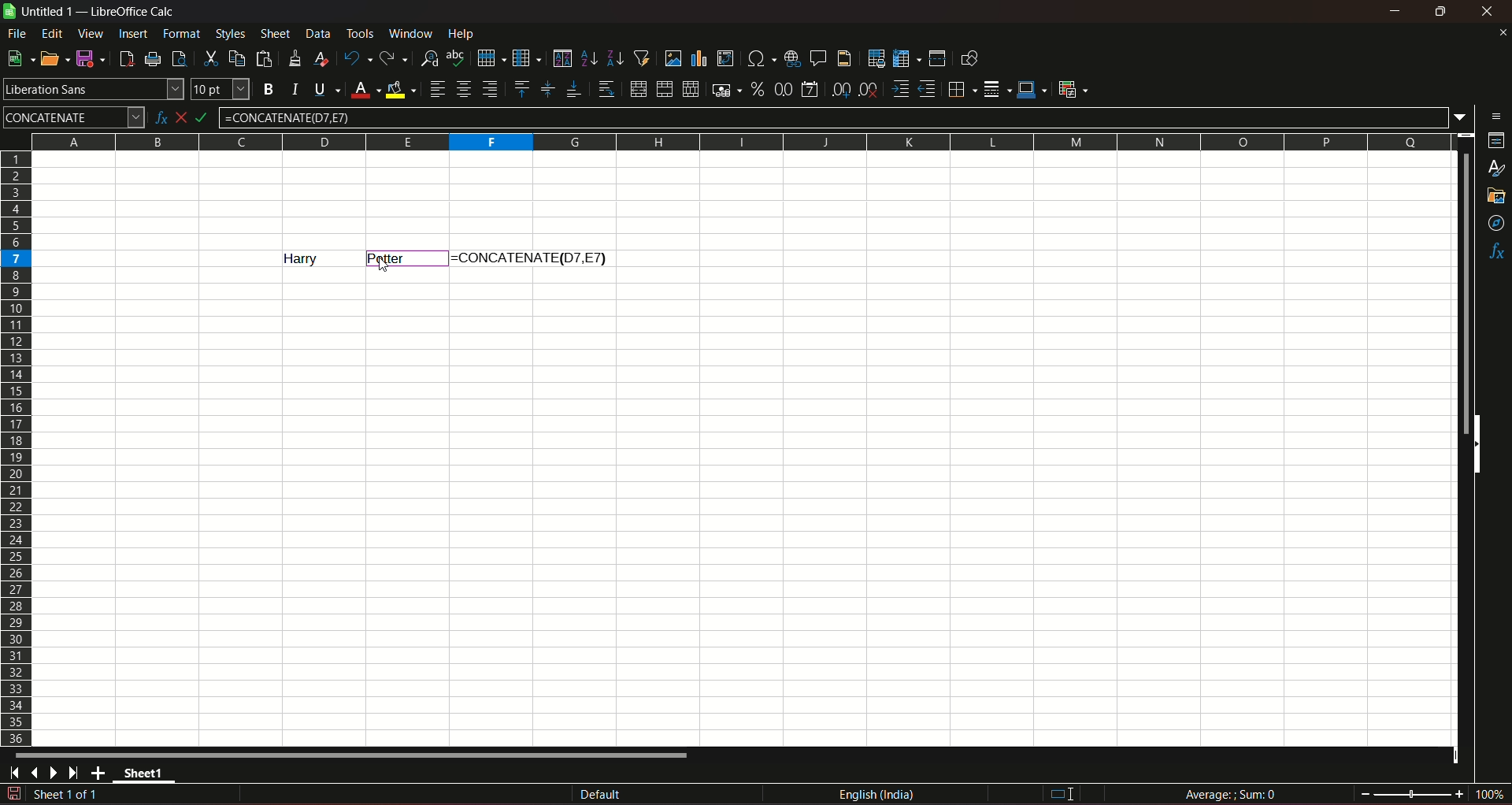  Describe the element at coordinates (487, 57) in the screenshot. I see `row` at that location.